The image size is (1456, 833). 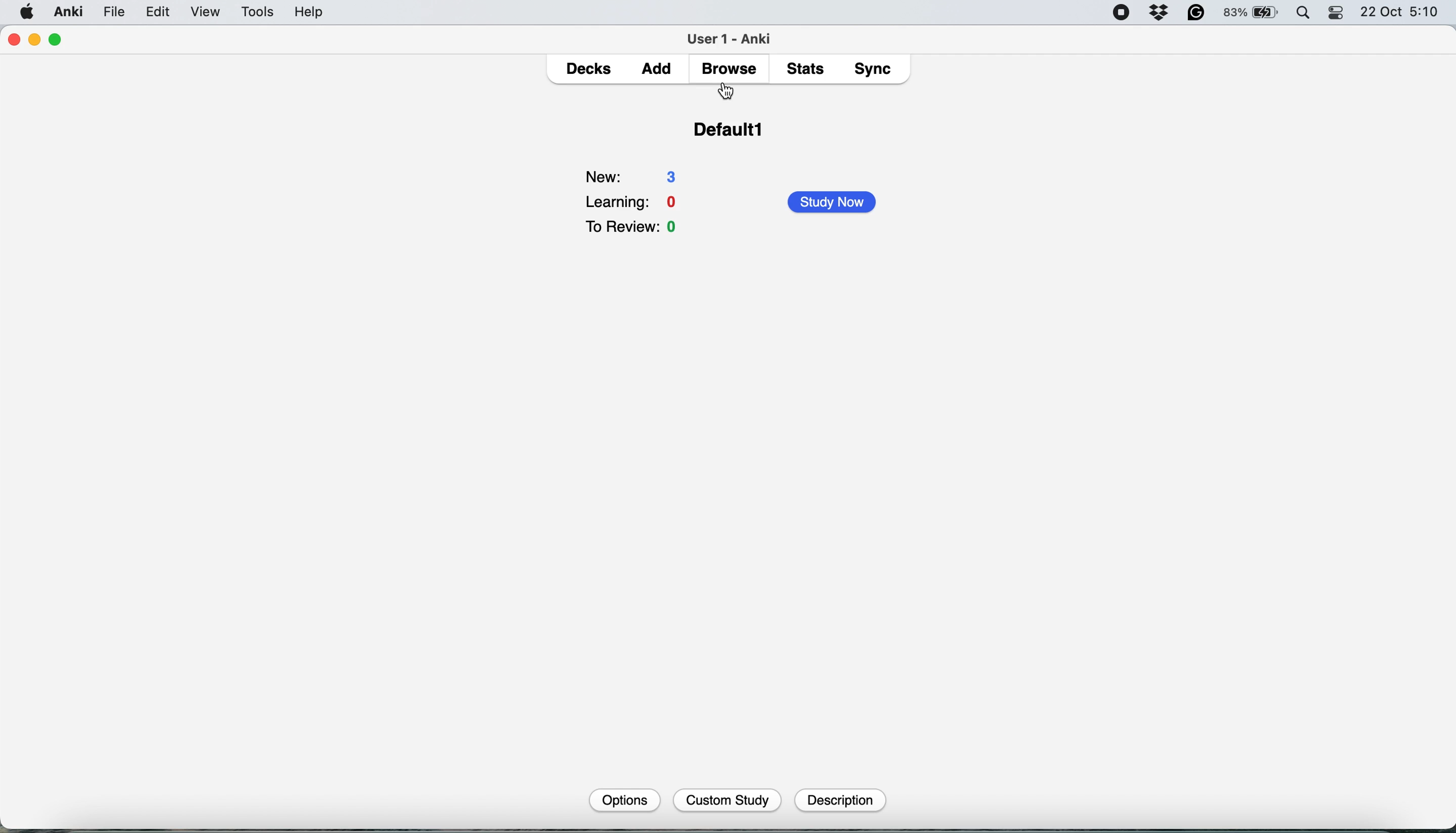 I want to click on Learning: 0, so click(x=634, y=200).